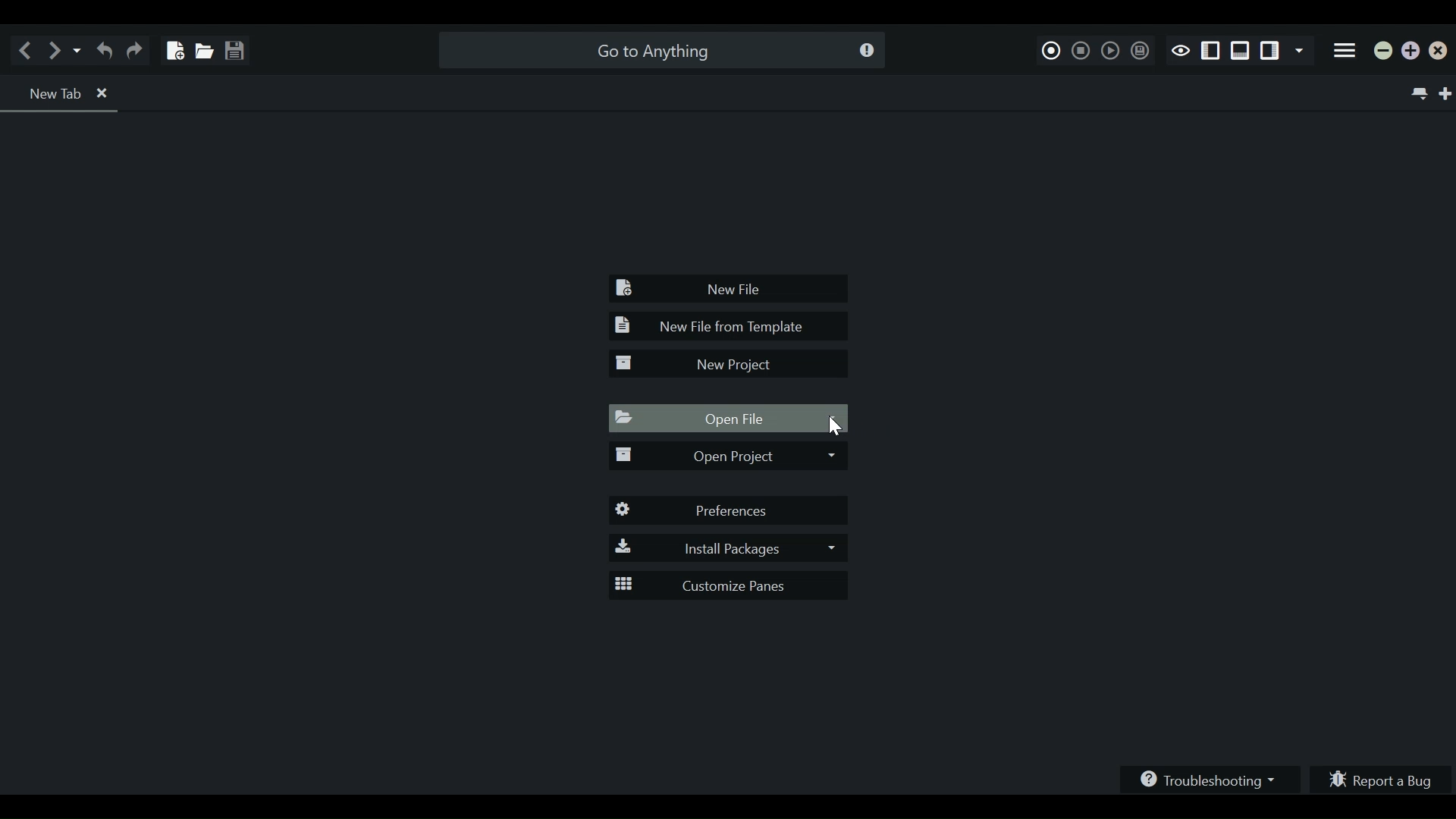 This screenshot has width=1456, height=819. What do you see at coordinates (104, 50) in the screenshot?
I see `Undo` at bounding box center [104, 50].